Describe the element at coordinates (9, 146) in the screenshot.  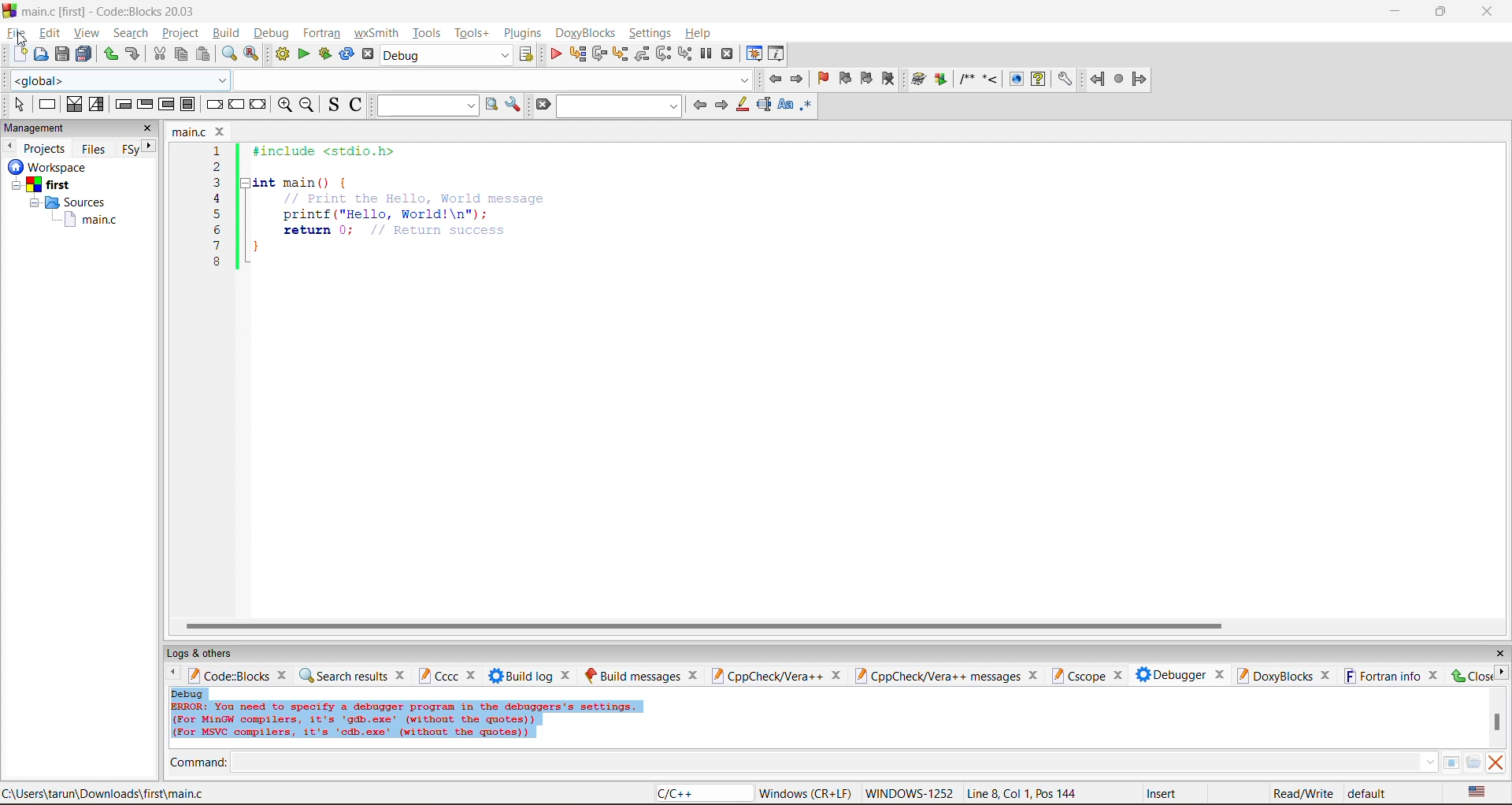
I see `previous` at that location.